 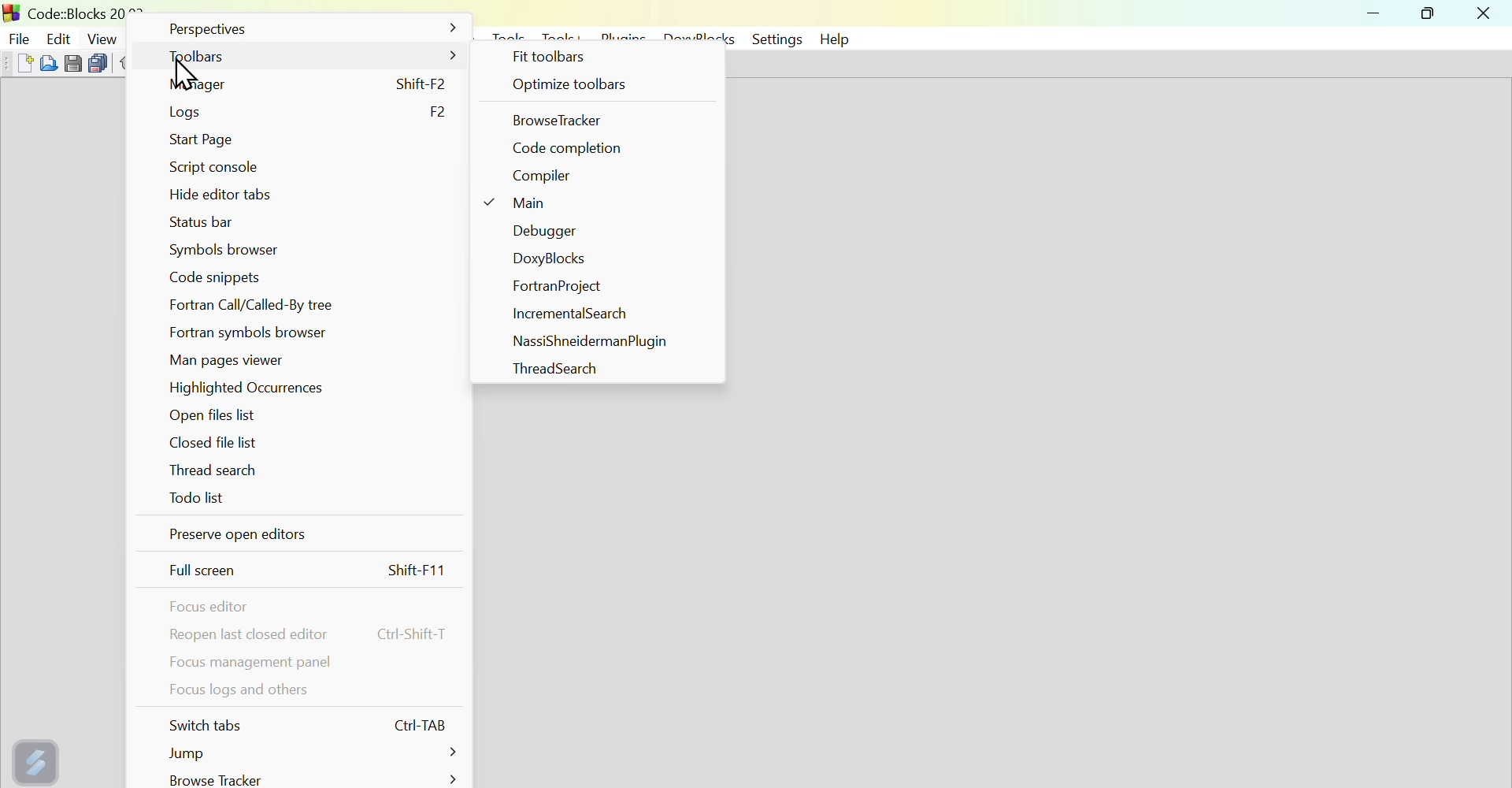 I want to click on edit, so click(x=59, y=34).